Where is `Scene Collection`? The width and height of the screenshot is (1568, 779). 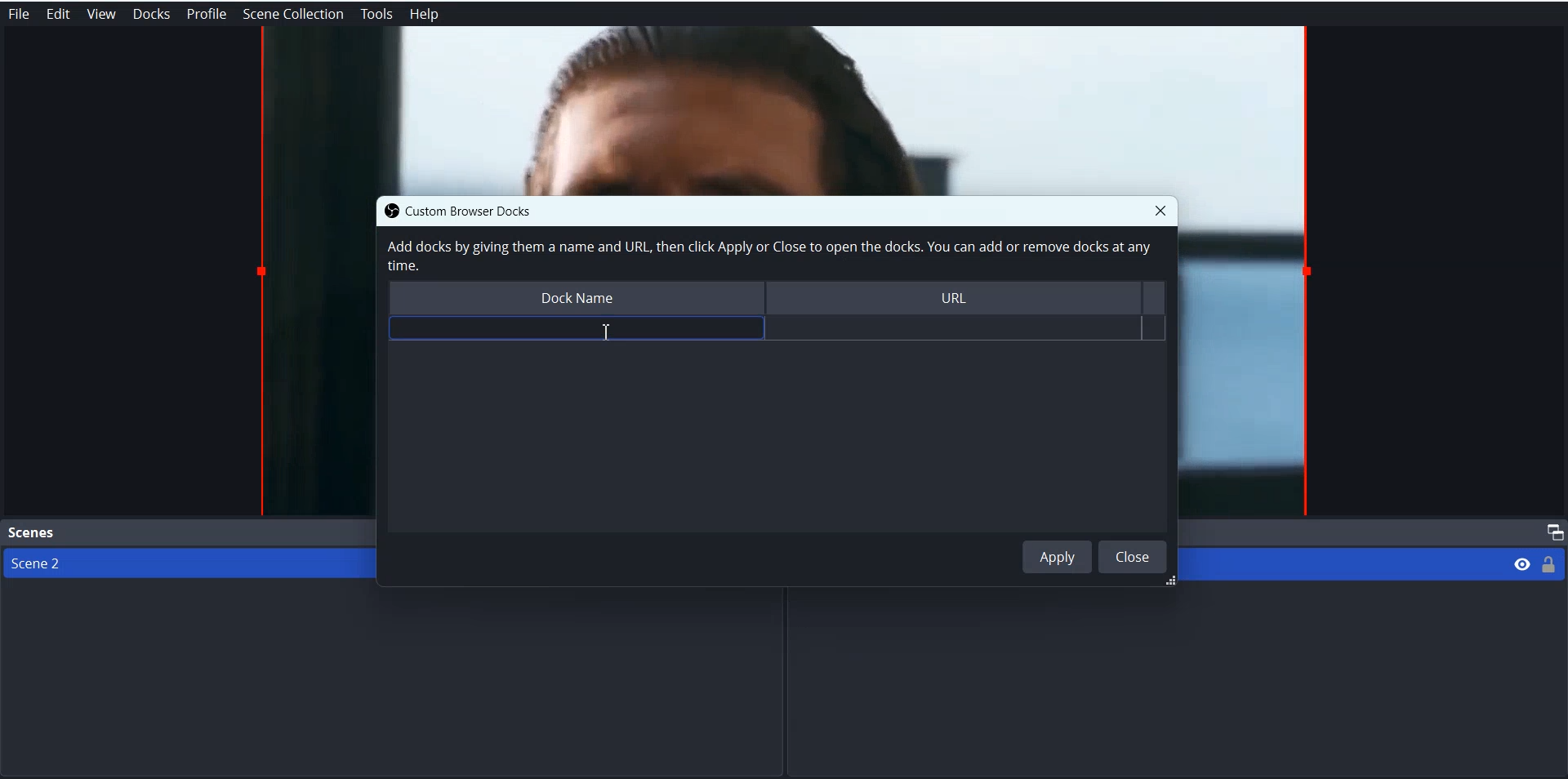
Scene Collection is located at coordinates (294, 14).